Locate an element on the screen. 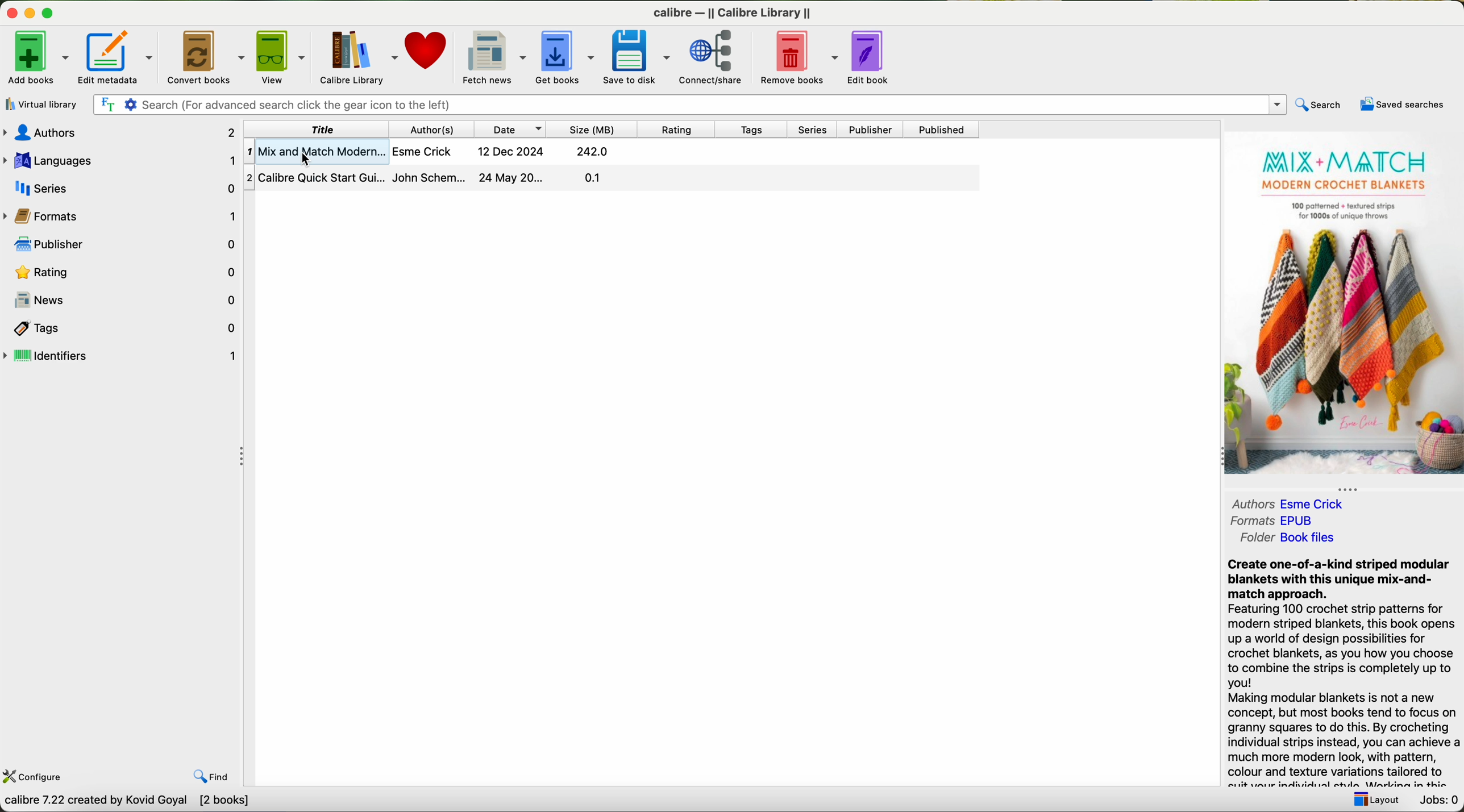  book cover preview is located at coordinates (1342, 305).